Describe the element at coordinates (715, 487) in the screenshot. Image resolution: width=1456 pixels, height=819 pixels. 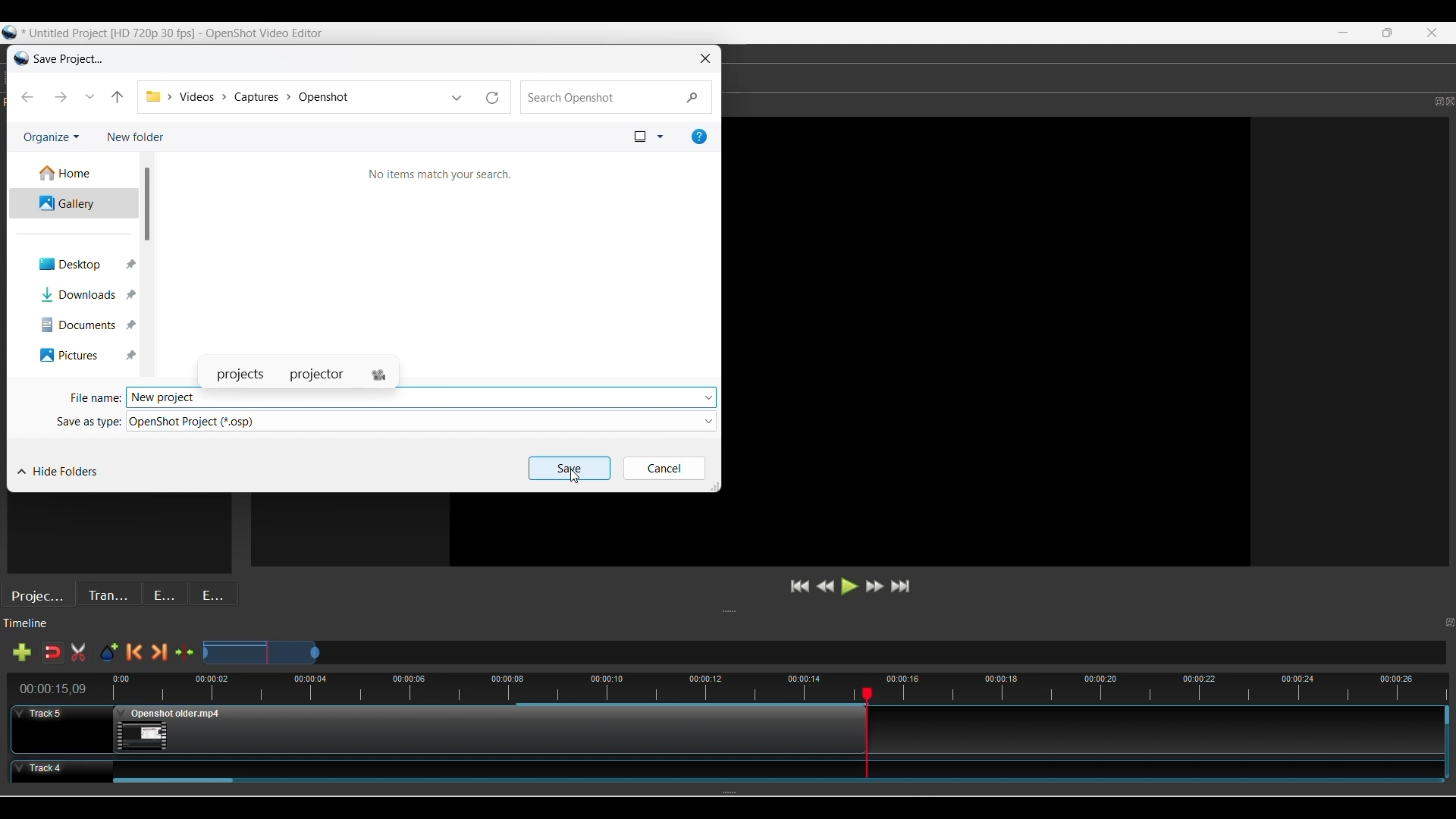
I see `Change width/height of window` at that location.